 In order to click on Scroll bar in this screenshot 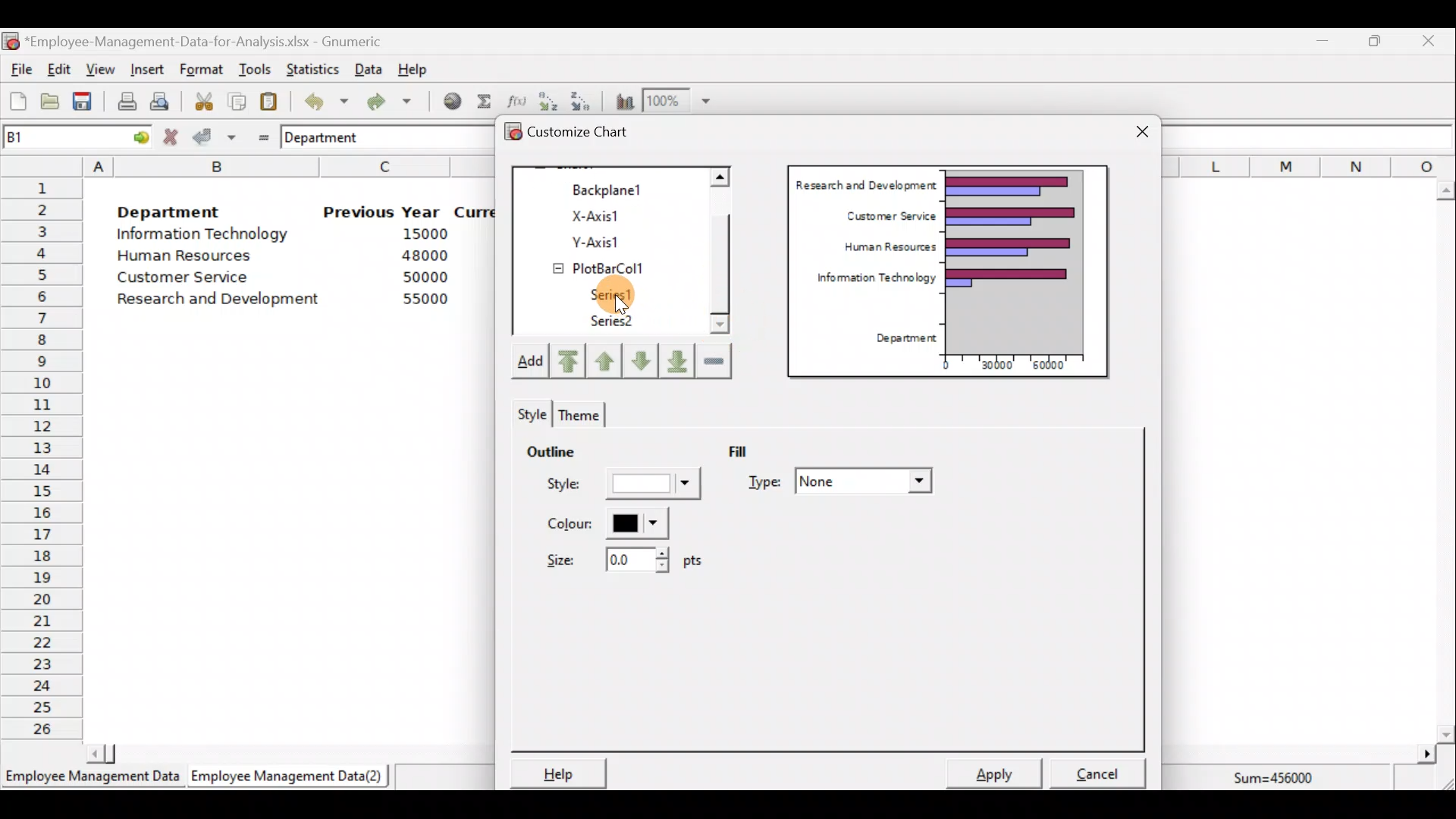, I will do `click(283, 752)`.